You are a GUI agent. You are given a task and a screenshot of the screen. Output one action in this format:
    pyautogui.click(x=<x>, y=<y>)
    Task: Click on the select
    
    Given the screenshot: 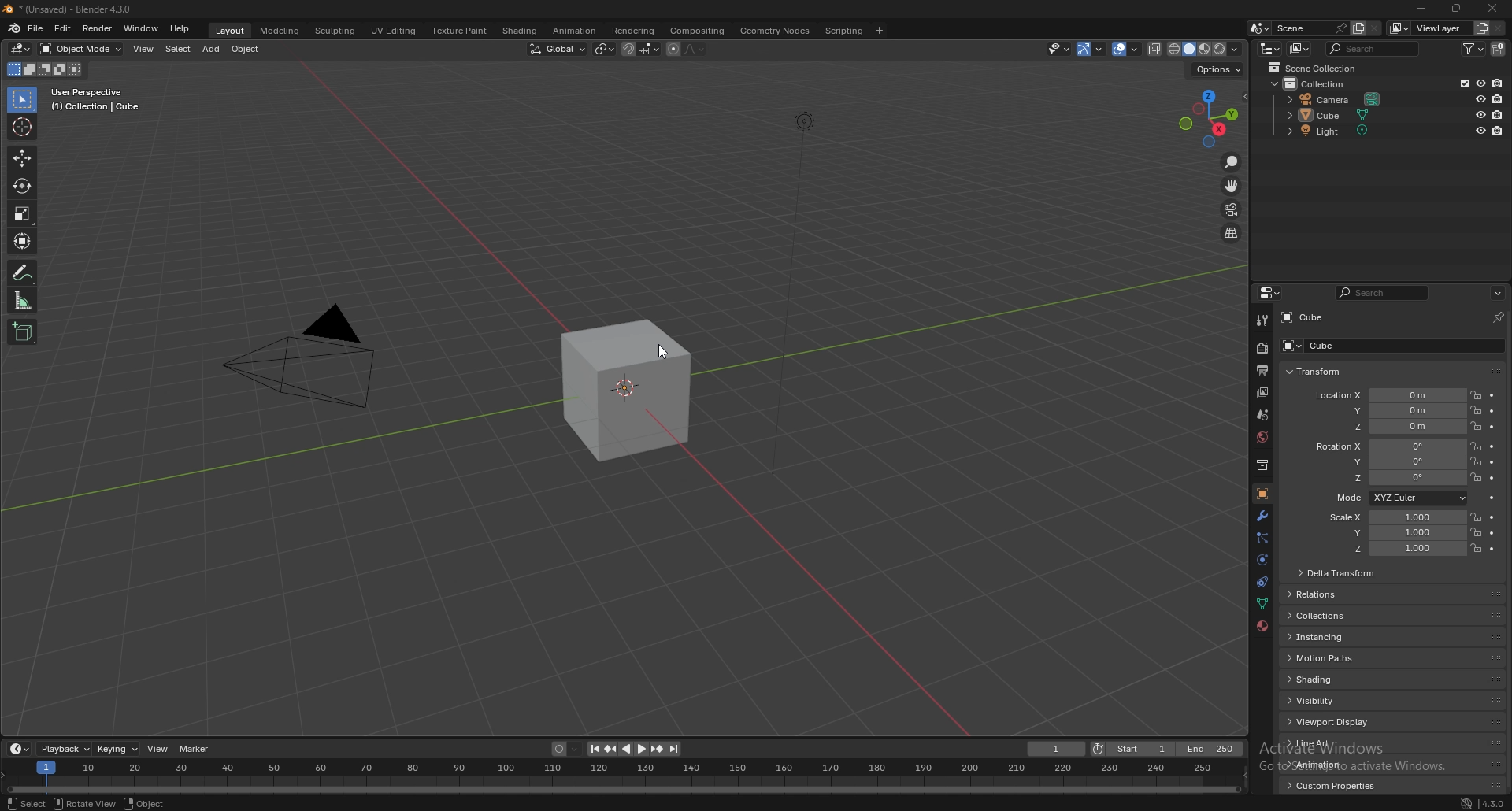 What is the action you would take?
    pyautogui.click(x=23, y=101)
    